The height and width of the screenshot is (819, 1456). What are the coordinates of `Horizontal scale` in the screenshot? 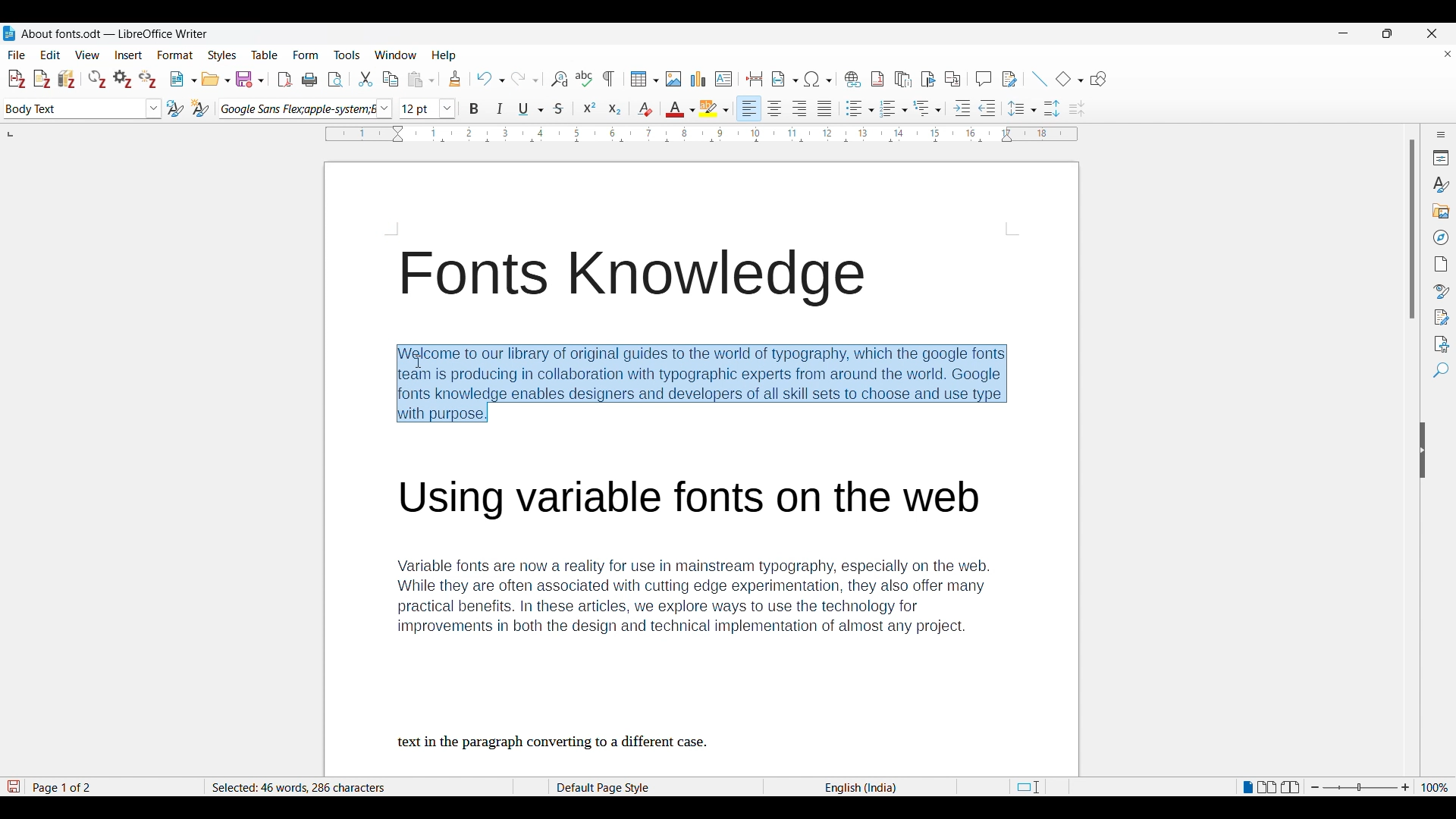 It's located at (702, 135).